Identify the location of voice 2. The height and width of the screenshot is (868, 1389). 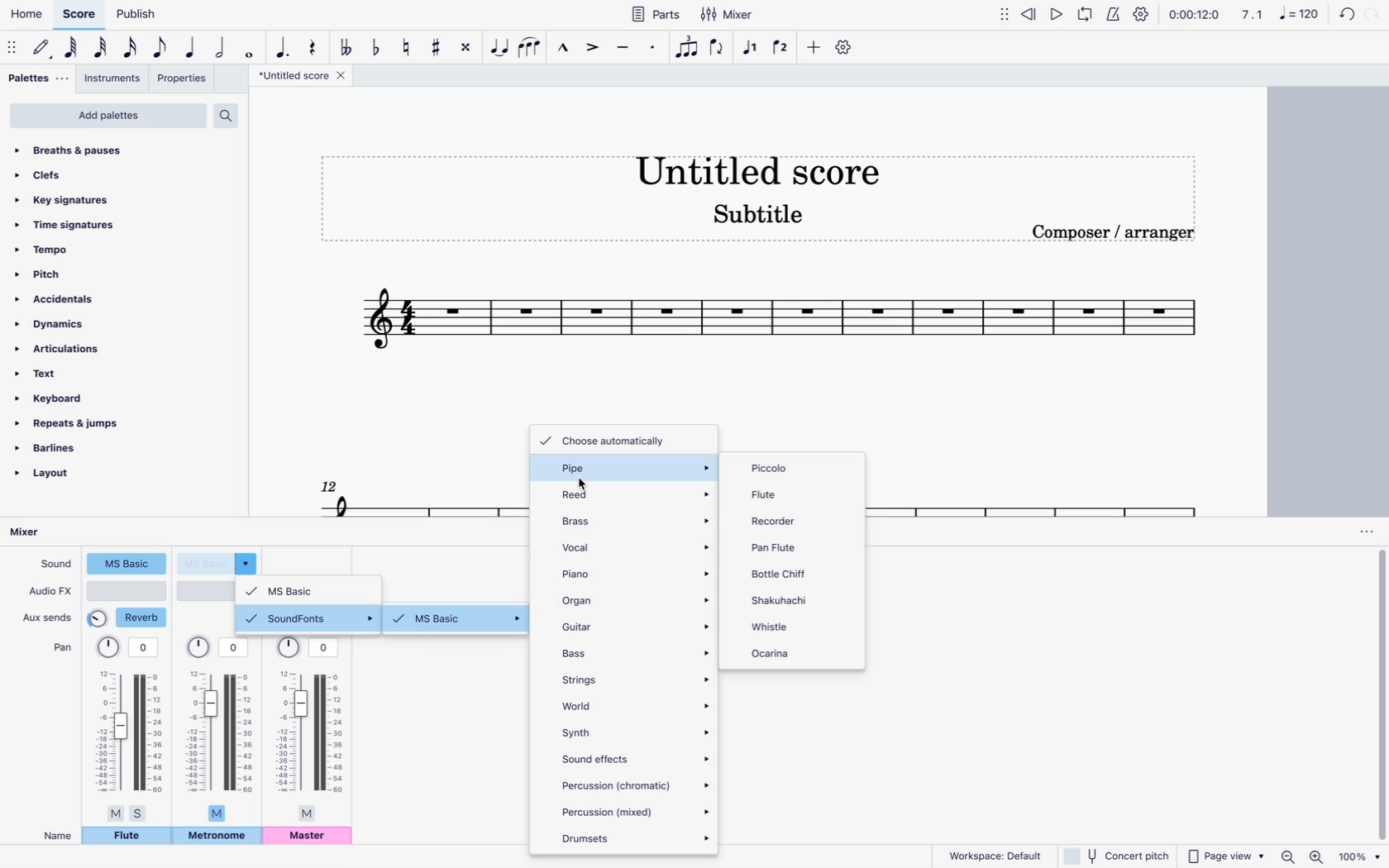
(782, 50).